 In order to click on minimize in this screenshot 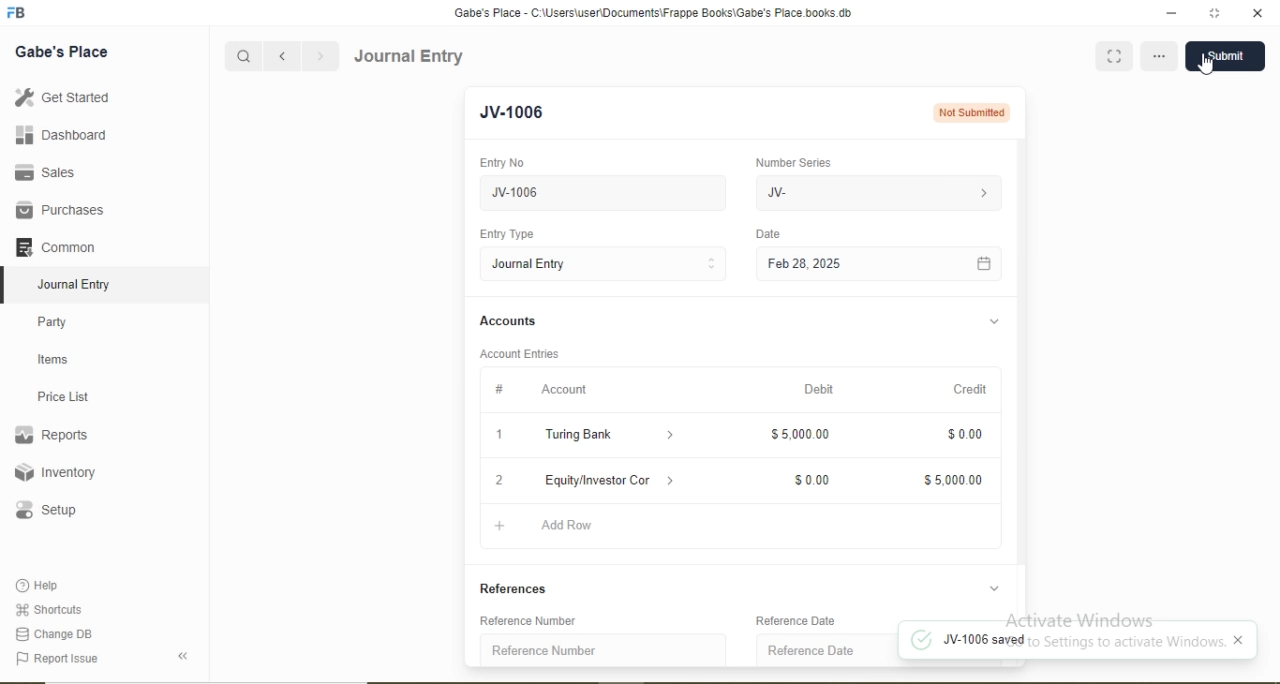, I will do `click(1169, 14)`.